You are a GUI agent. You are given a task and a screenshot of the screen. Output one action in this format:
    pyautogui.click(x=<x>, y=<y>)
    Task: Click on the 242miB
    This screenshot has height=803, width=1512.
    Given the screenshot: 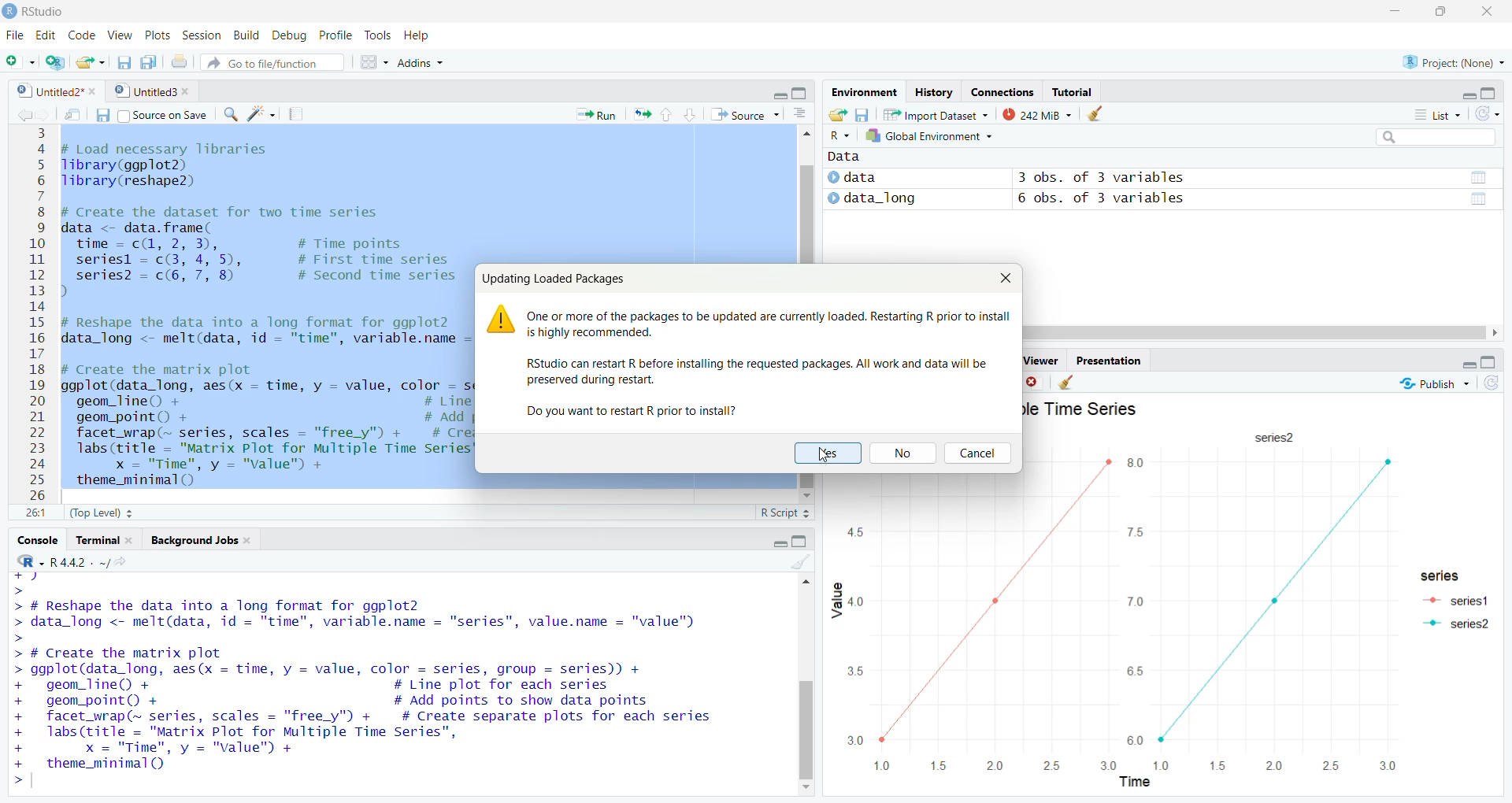 What is the action you would take?
    pyautogui.click(x=1037, y=113)
    